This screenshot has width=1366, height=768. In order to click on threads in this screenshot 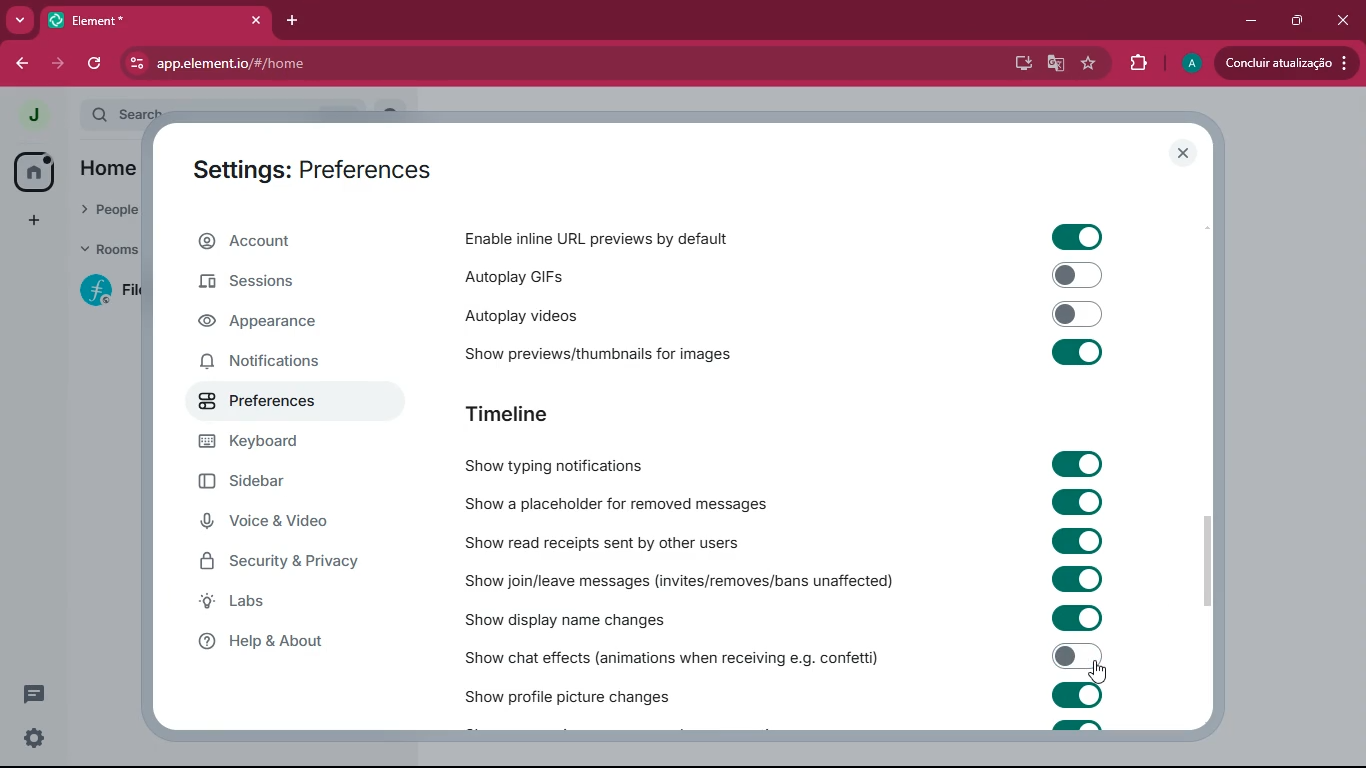, I will do `click(32, 695)`.